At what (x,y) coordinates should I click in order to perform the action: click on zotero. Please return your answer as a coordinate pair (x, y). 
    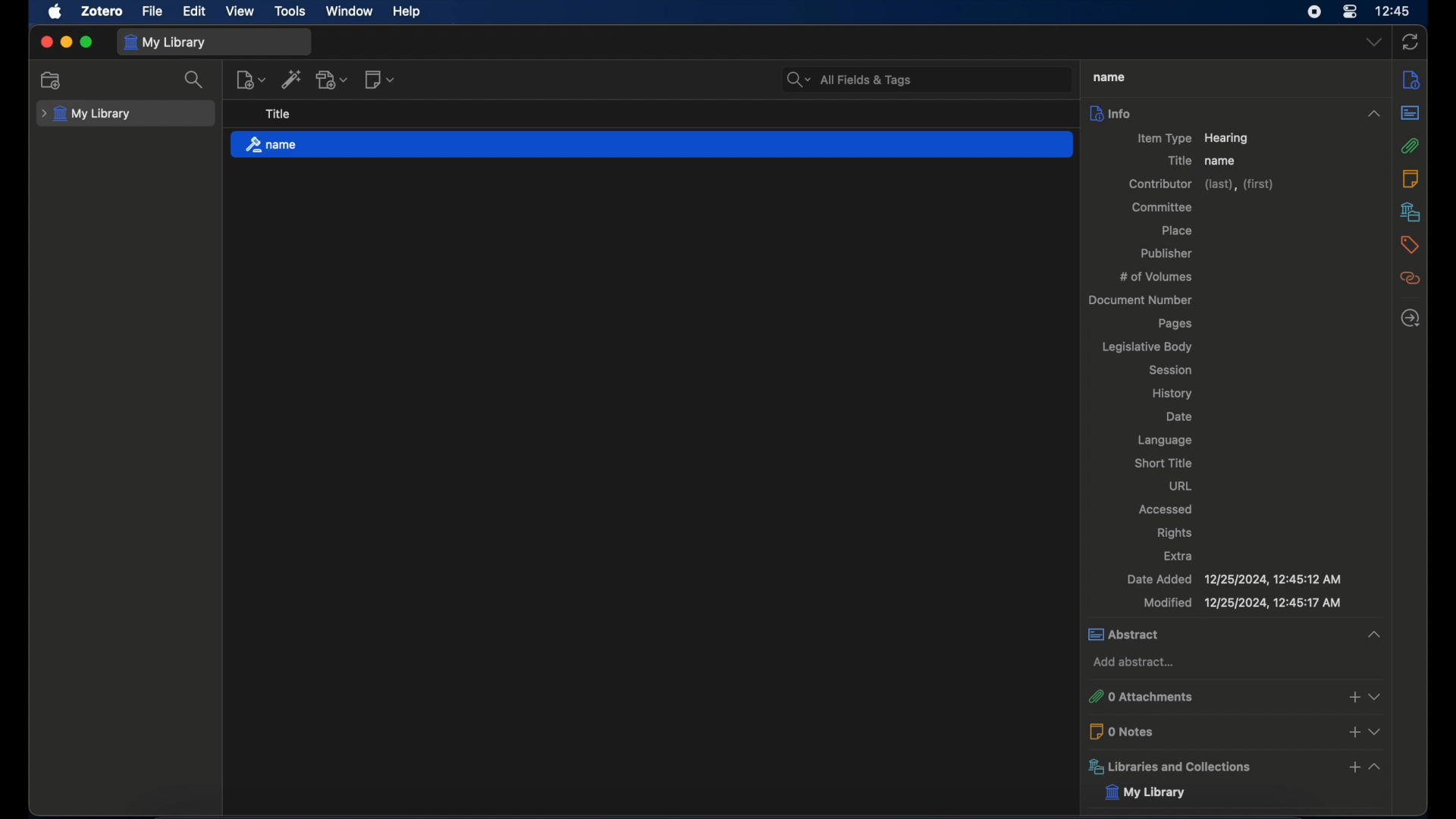
    Looking at the image, I should click on (102, 11).